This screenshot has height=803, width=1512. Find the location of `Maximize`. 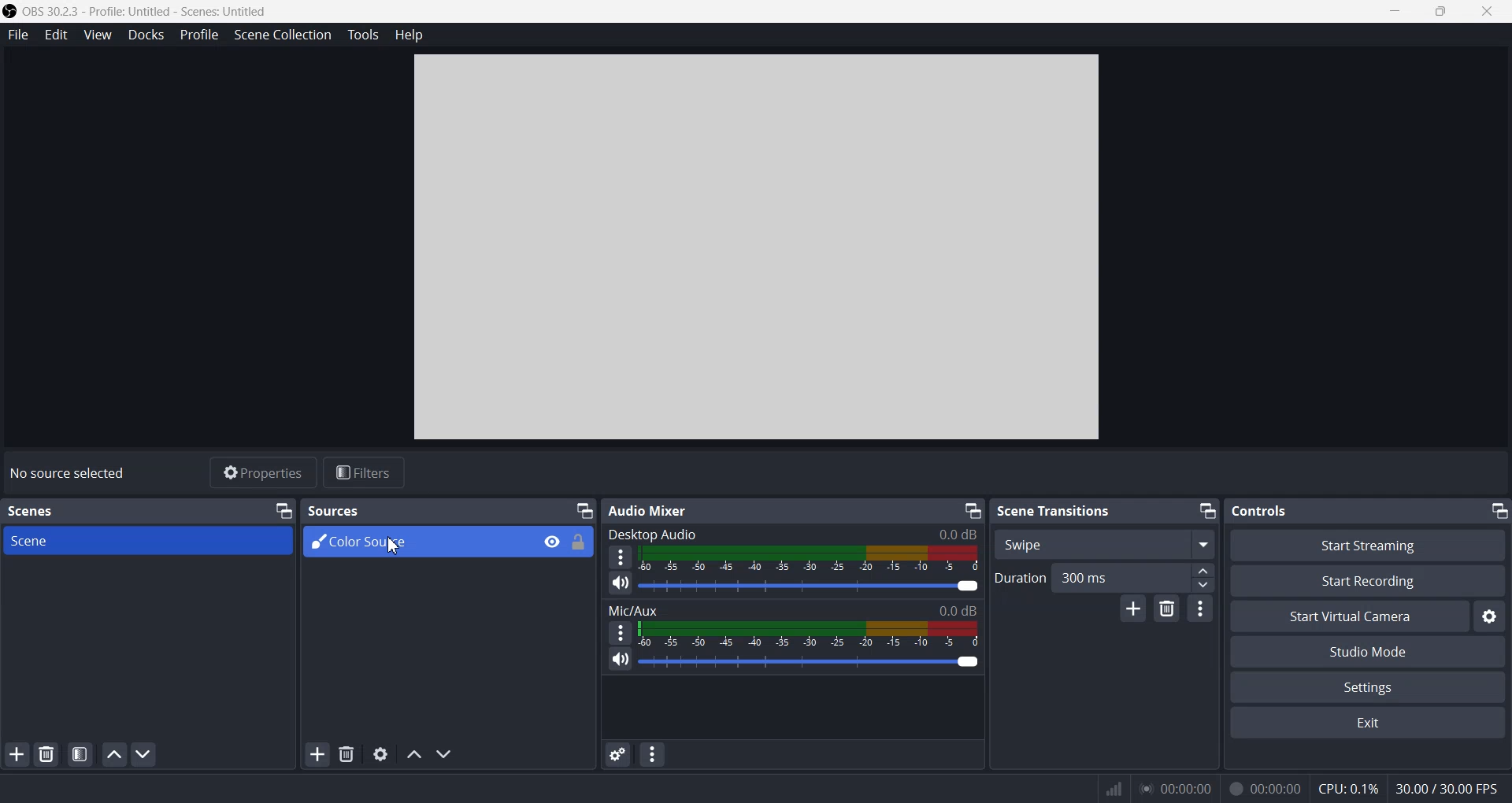

Maximize is located at coordinates (1443, 12).